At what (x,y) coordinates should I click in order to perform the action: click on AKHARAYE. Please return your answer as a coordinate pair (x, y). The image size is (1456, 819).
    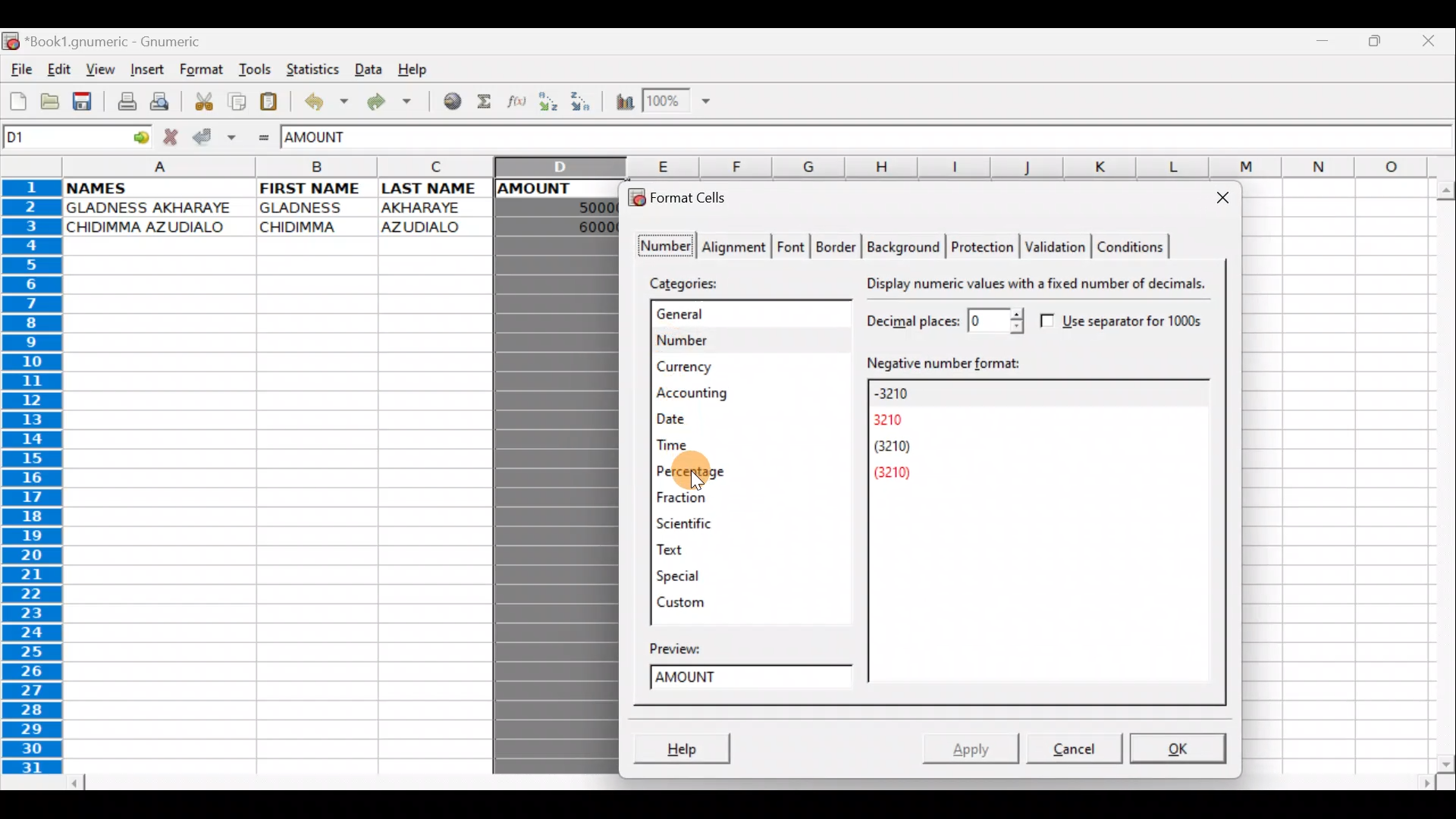
    Looking at the image, I should click on (423, 207).